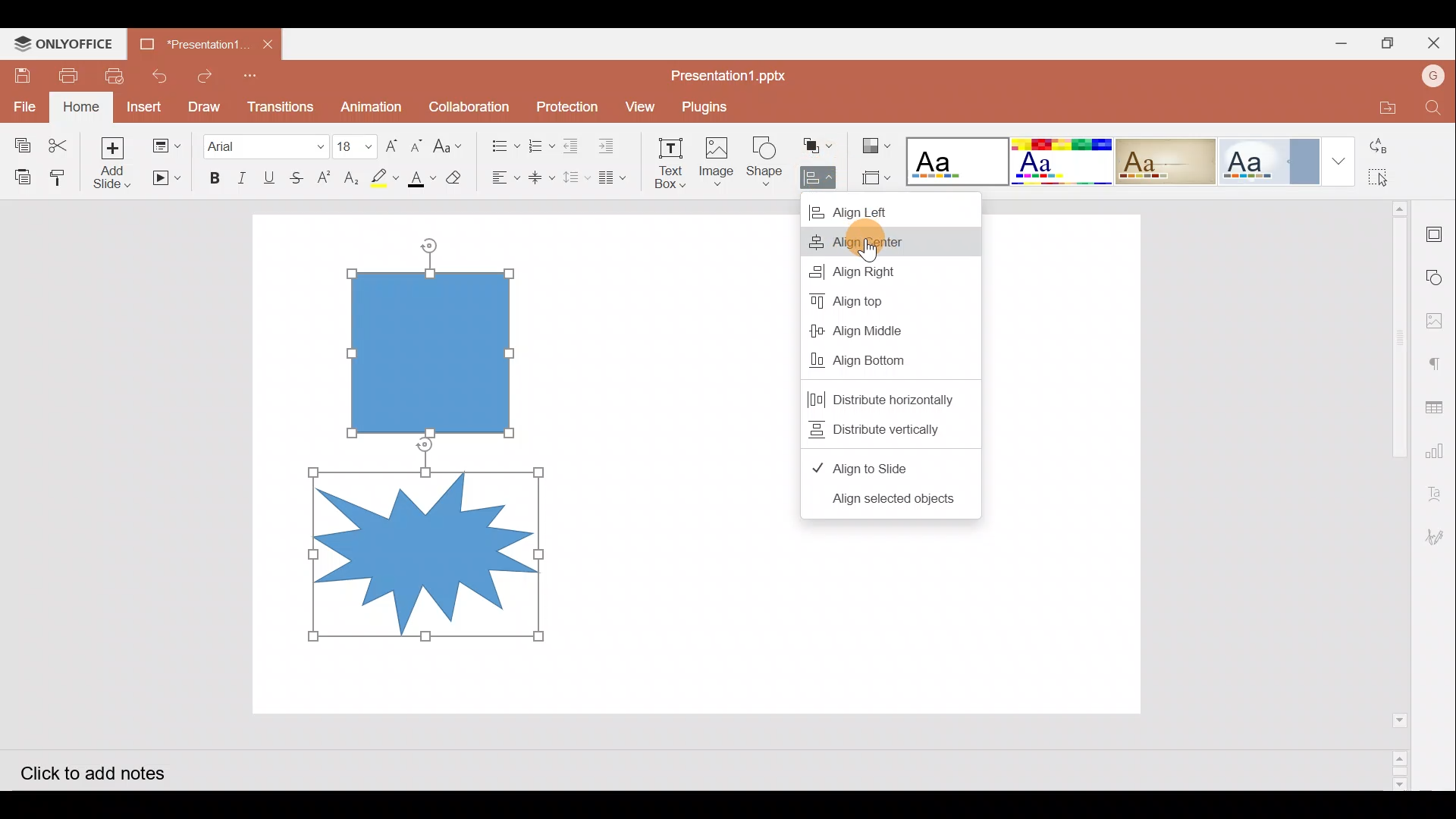 The height and width of the screenshot is (819, 1456). I want to click on View, so click(638, 105).